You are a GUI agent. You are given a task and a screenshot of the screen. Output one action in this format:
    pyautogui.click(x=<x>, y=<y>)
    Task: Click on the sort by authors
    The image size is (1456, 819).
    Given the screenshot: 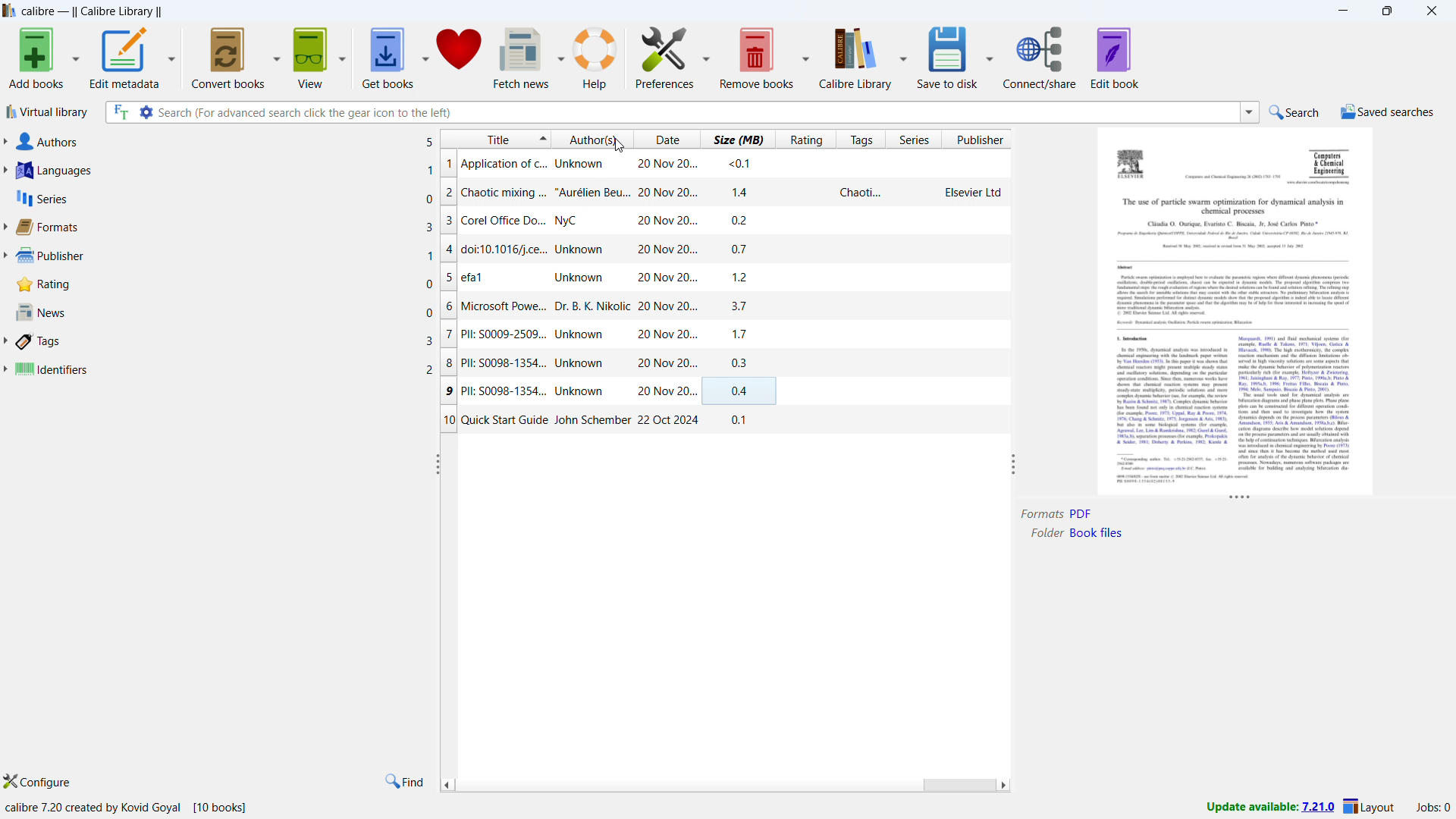 What is the action you would take?
    pyautogui.click(x=591, y=139)
    